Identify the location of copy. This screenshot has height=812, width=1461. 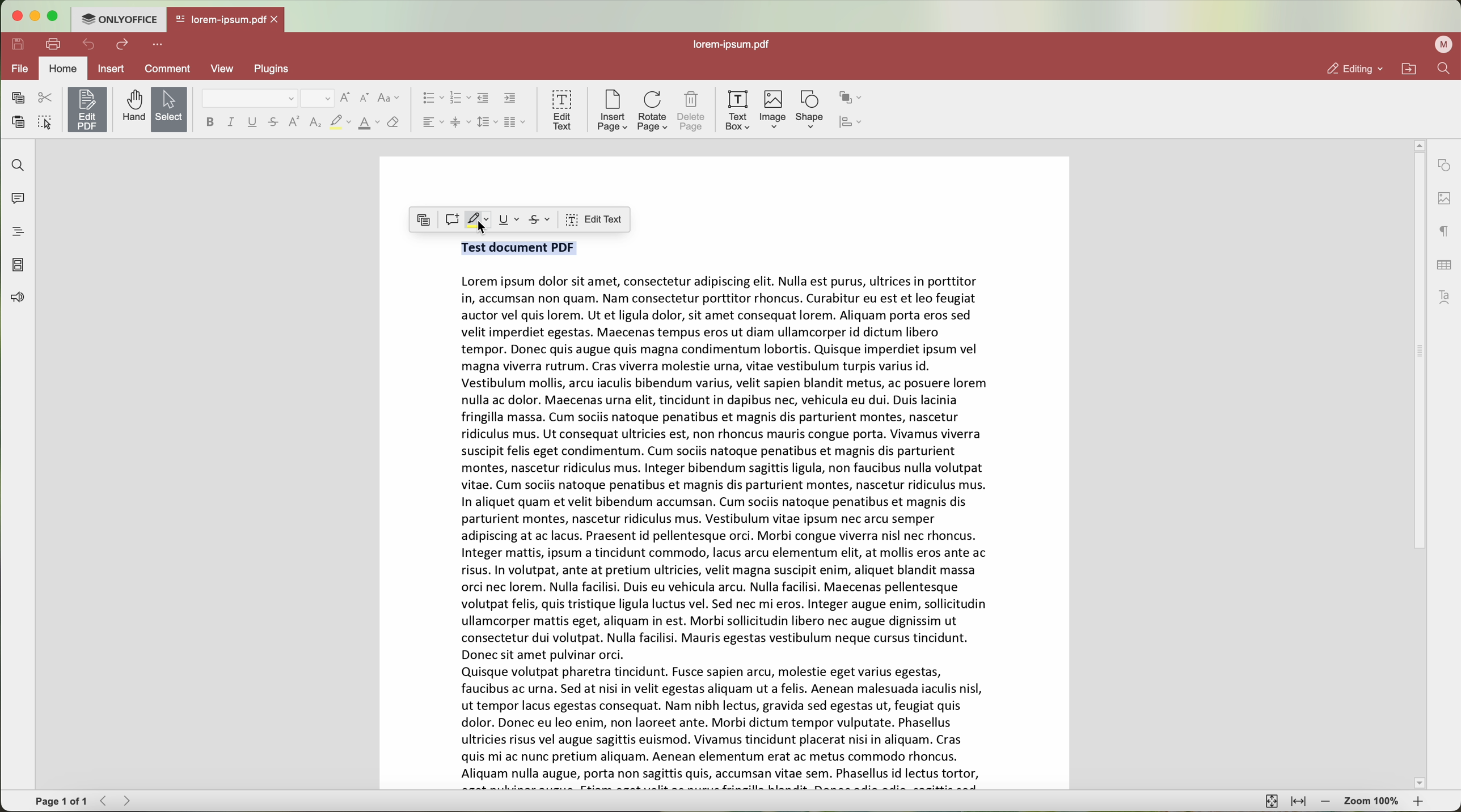
(424, 220).